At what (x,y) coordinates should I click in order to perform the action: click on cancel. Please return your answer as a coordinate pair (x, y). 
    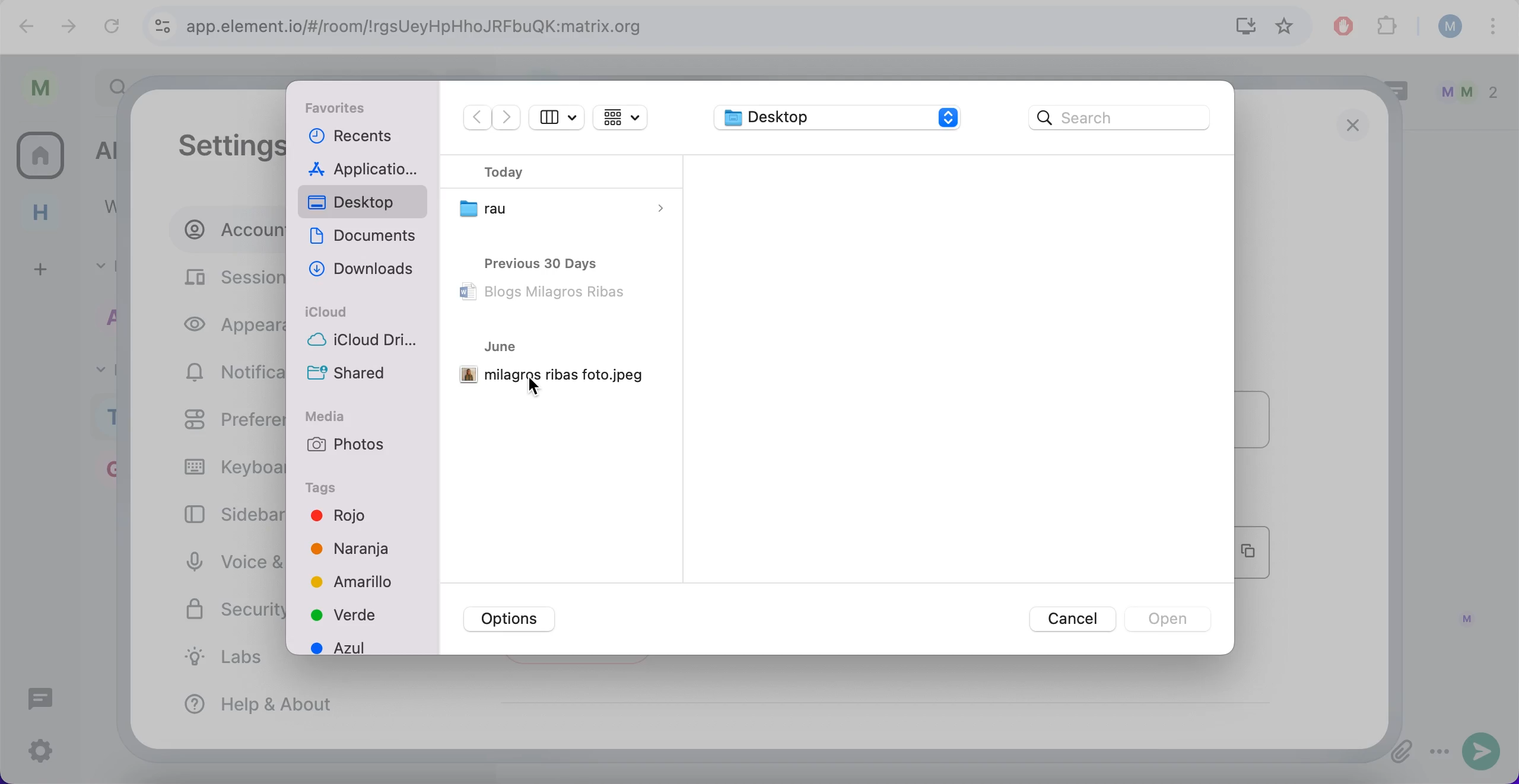
    Looking at the image, I should click on (1075, 619).